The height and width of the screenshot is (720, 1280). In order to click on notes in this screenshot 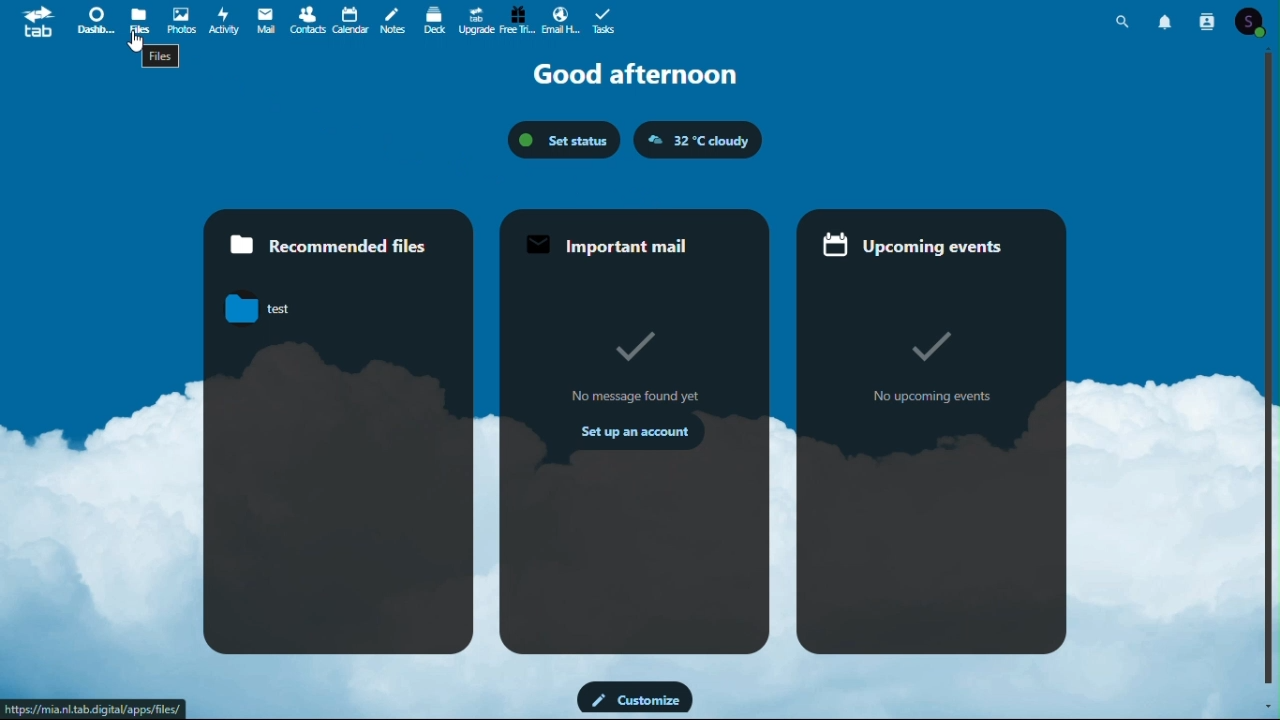, I will do `click(391, 19)`.